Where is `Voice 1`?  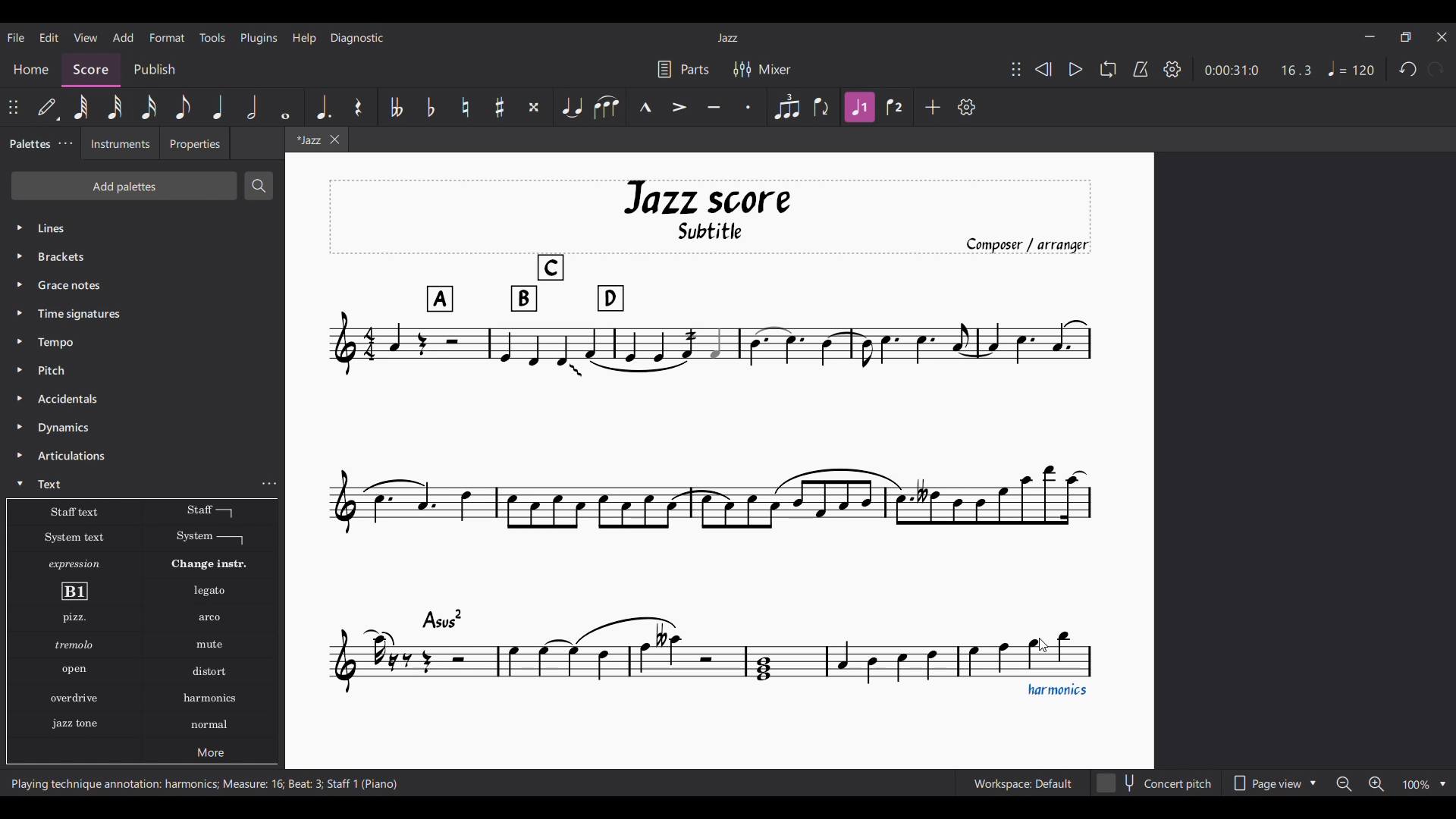 Voice 1 is located at coordinates (822, 108).